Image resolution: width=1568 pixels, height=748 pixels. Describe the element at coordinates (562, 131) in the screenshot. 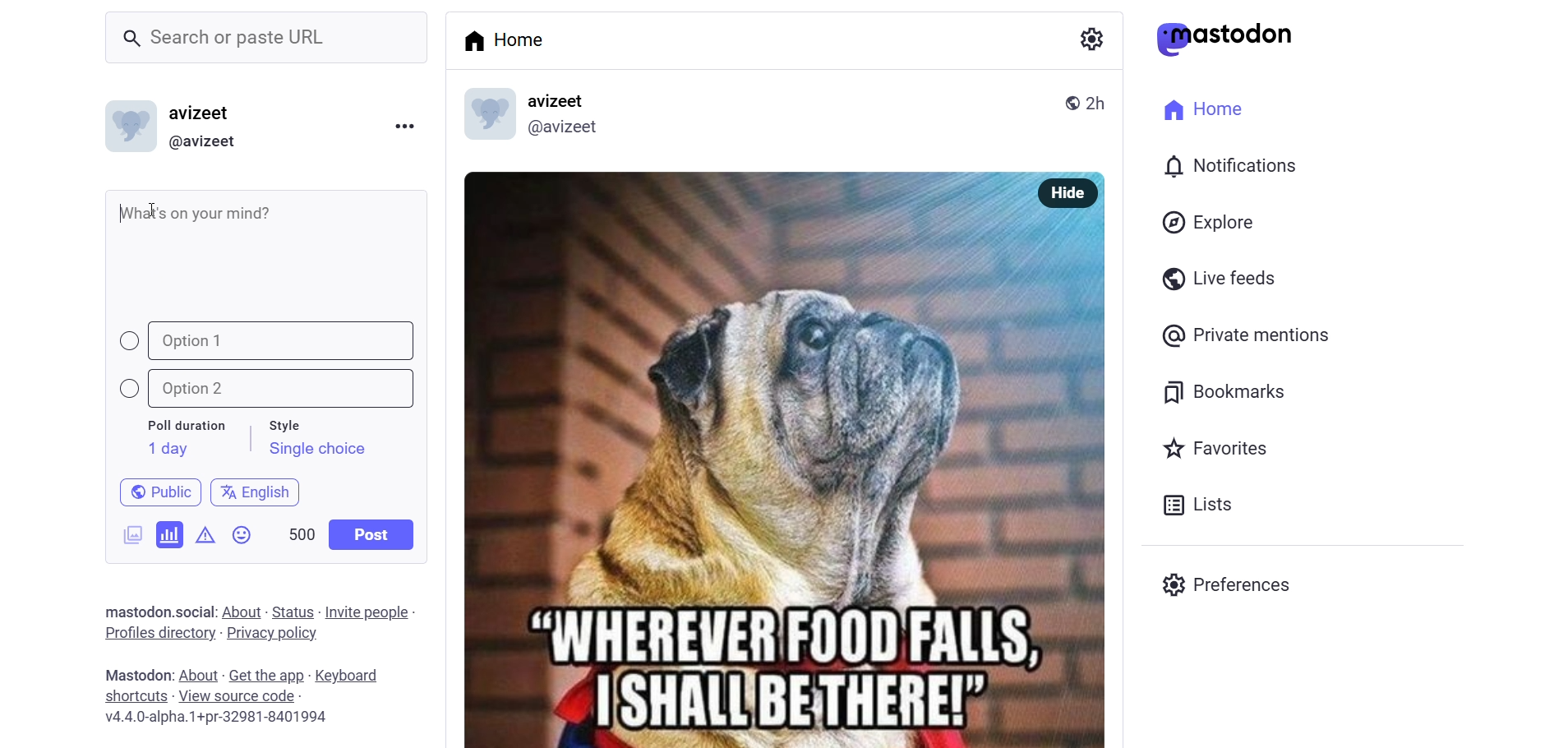

I see `@avizeet` at that location.